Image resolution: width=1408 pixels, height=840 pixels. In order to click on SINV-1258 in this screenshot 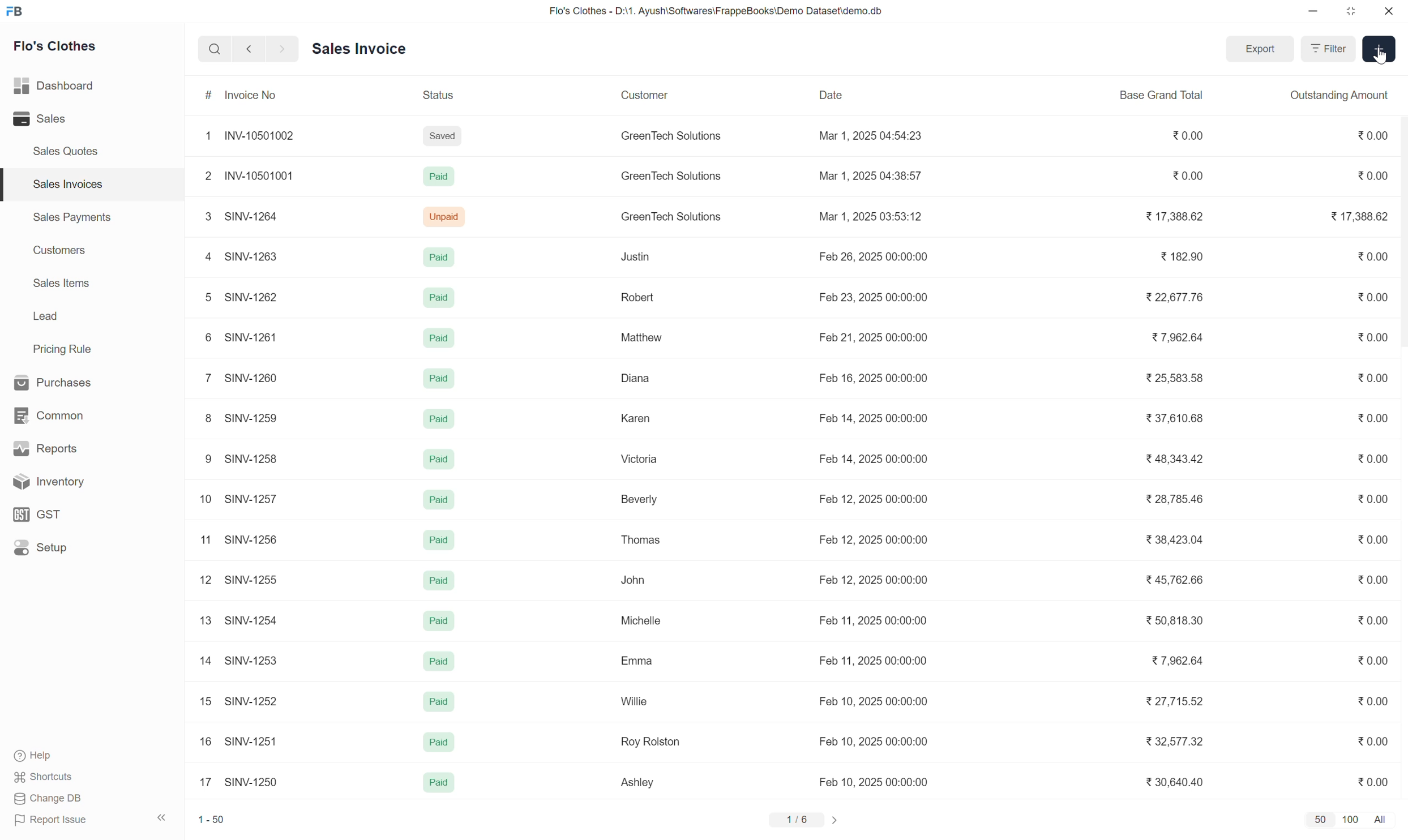, I will do `click(250, 458)`.